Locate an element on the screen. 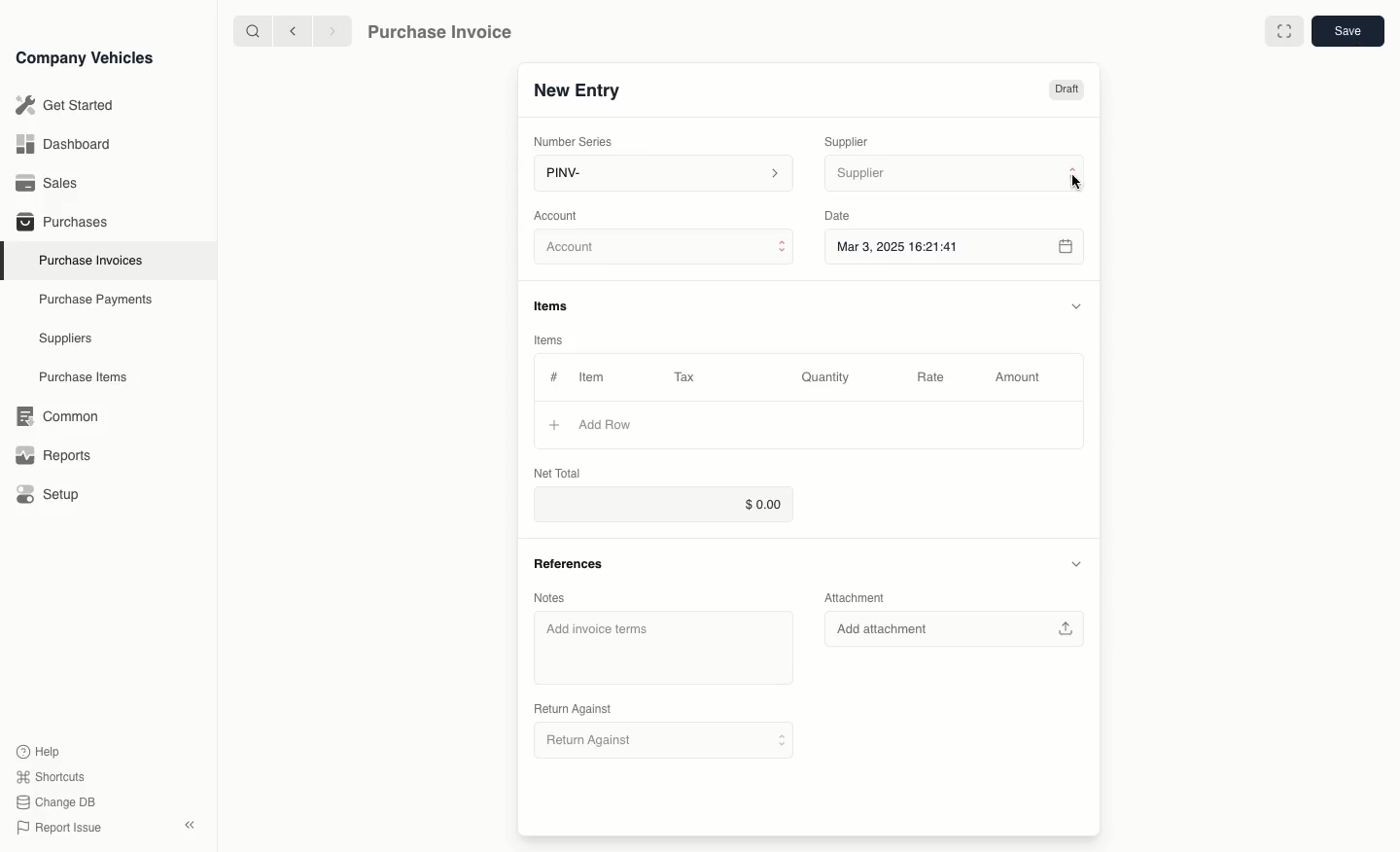  Tax is located at coordinates (693, 378).